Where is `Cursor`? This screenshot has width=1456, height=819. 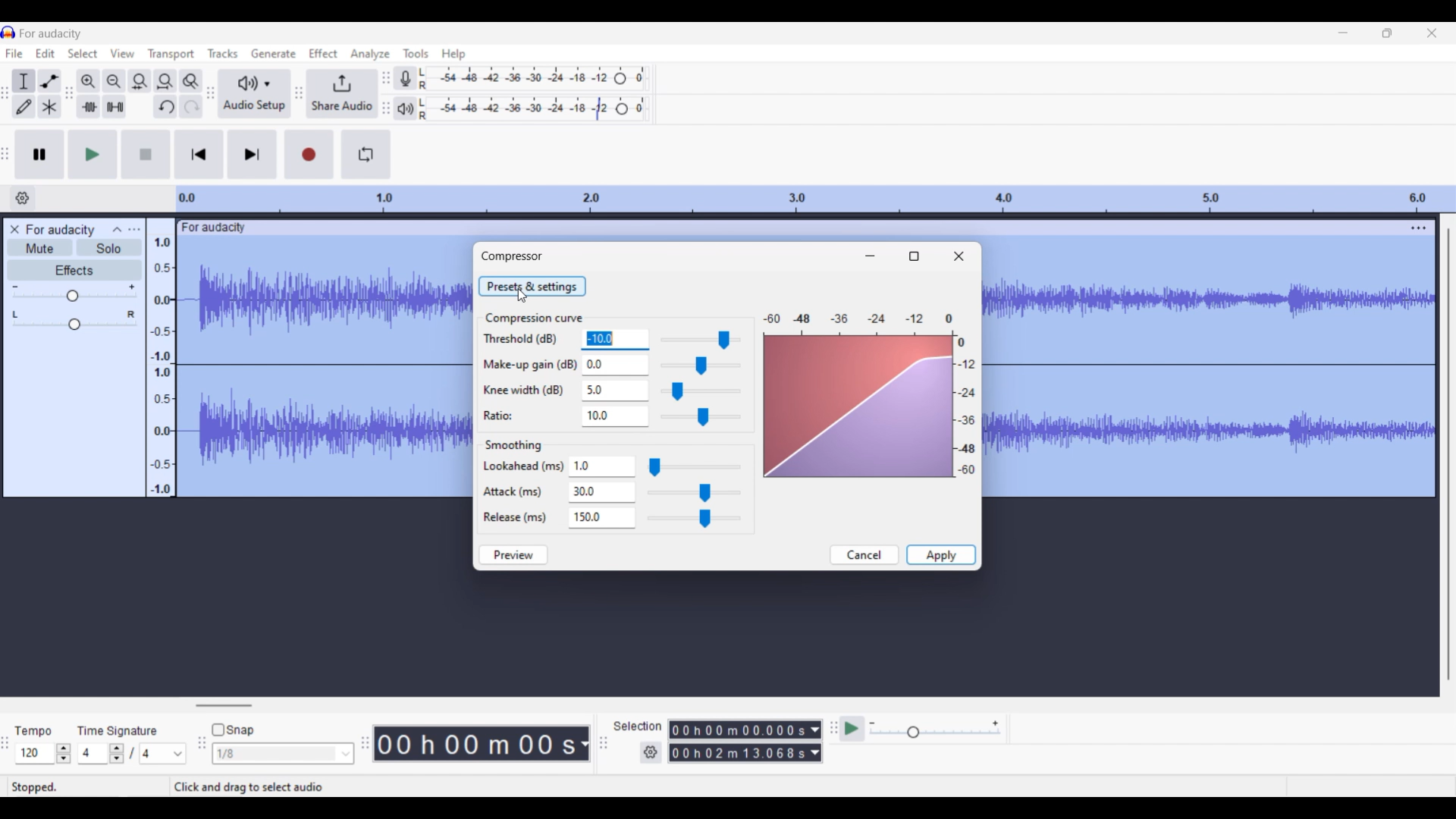 Cursor is located at coordinates (520, 295).